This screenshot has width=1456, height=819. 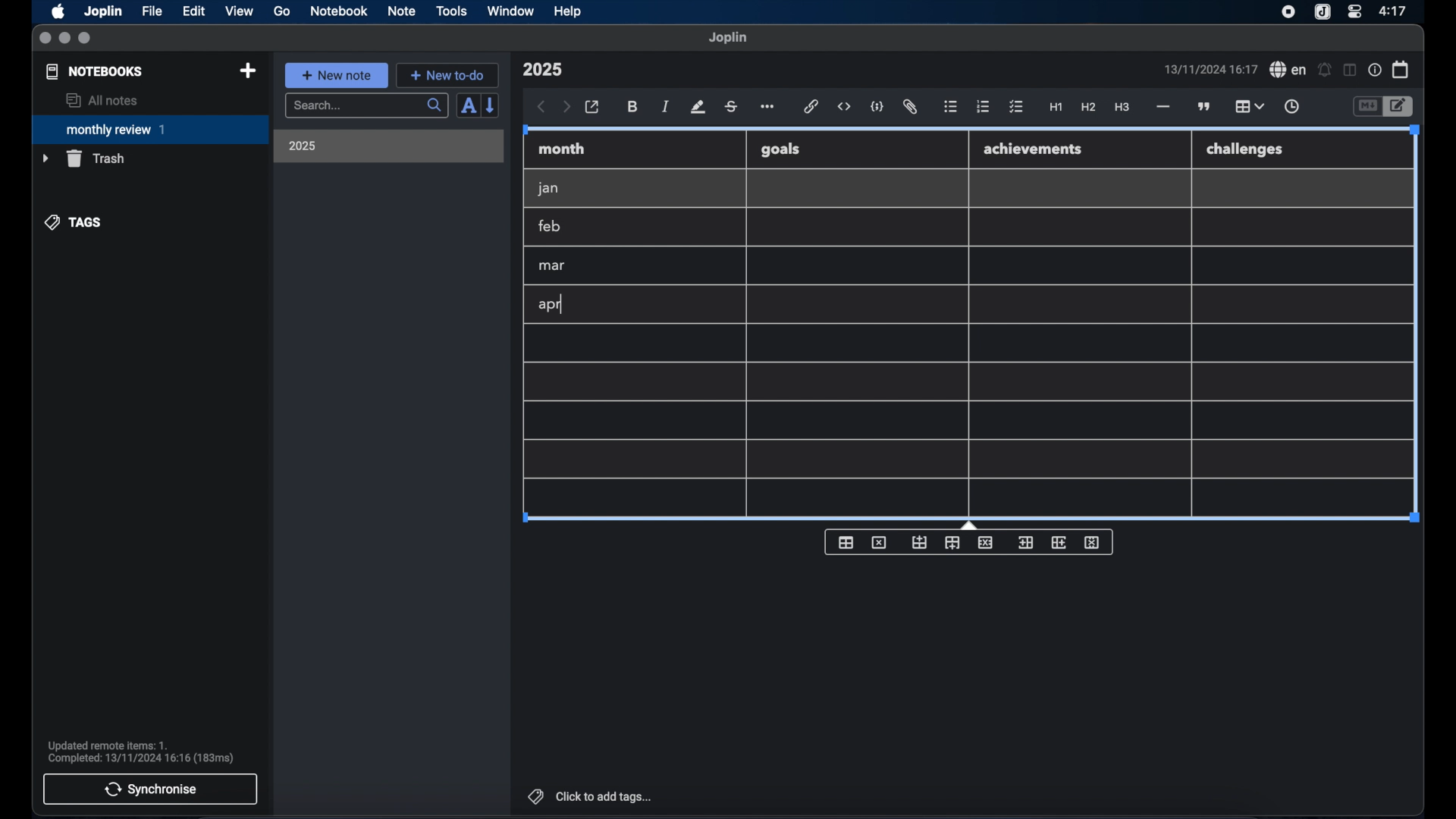 What do you see at coordinates (548, 189) in the screenshot?
I see `jan` at bounding box center [548, 189].